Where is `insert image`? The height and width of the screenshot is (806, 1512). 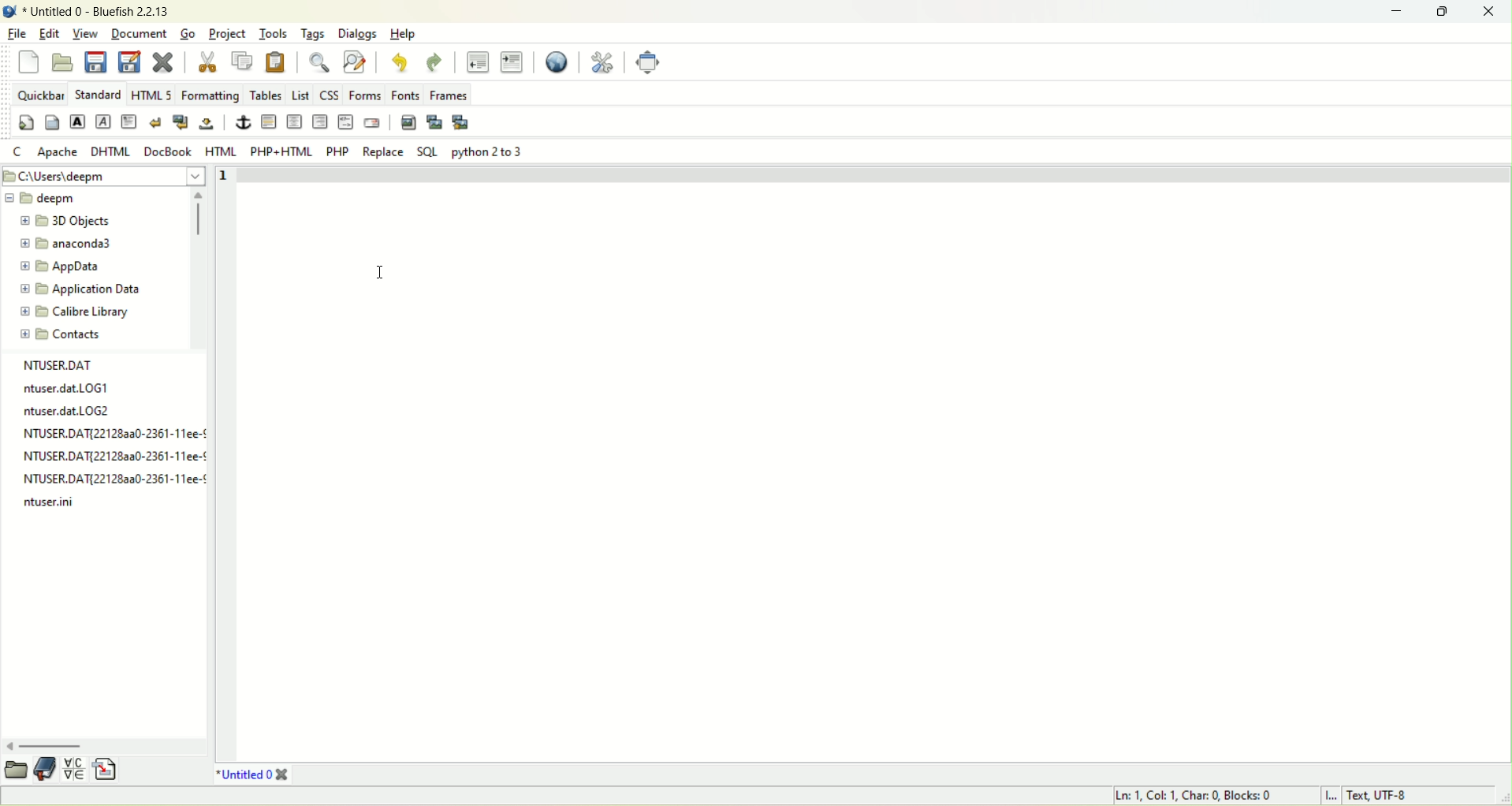 insert image is located at coordinates (408, 123).